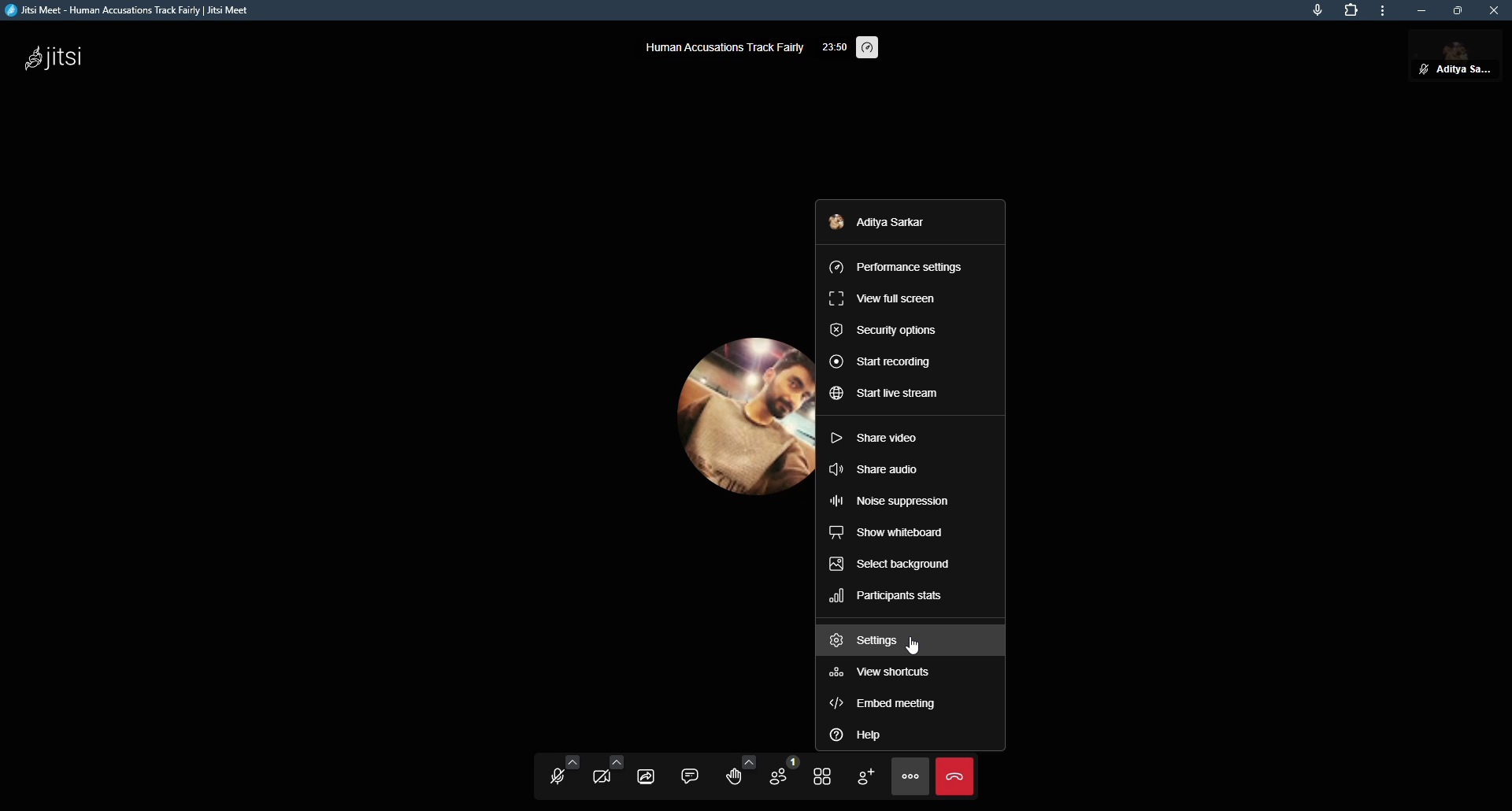 The image size is (1512, 811). I want to click on profile, so click(737, 422).